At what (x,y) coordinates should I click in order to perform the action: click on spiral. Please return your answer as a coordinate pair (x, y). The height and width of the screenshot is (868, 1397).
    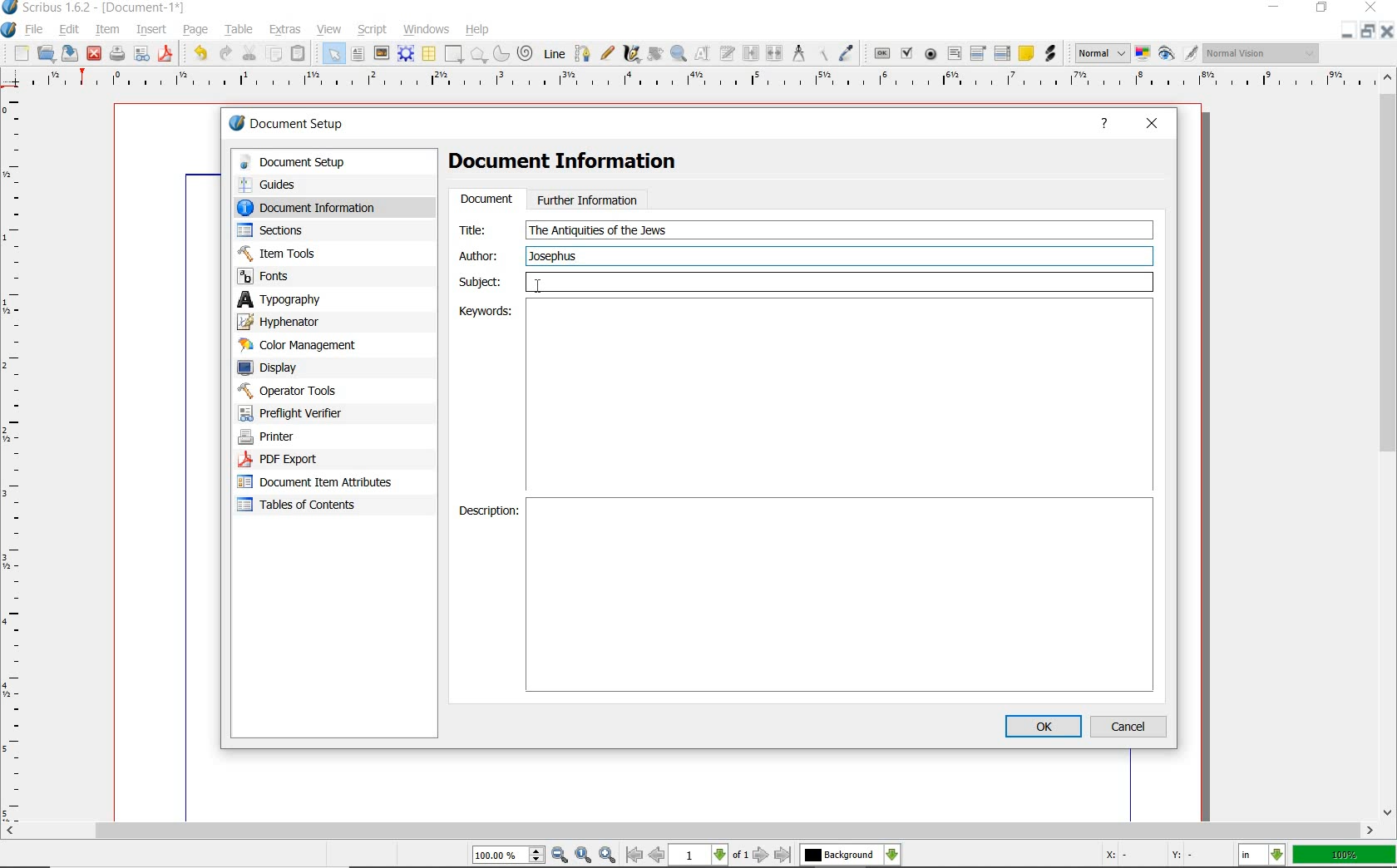
    Looking at the image, I should click on (527, 52).